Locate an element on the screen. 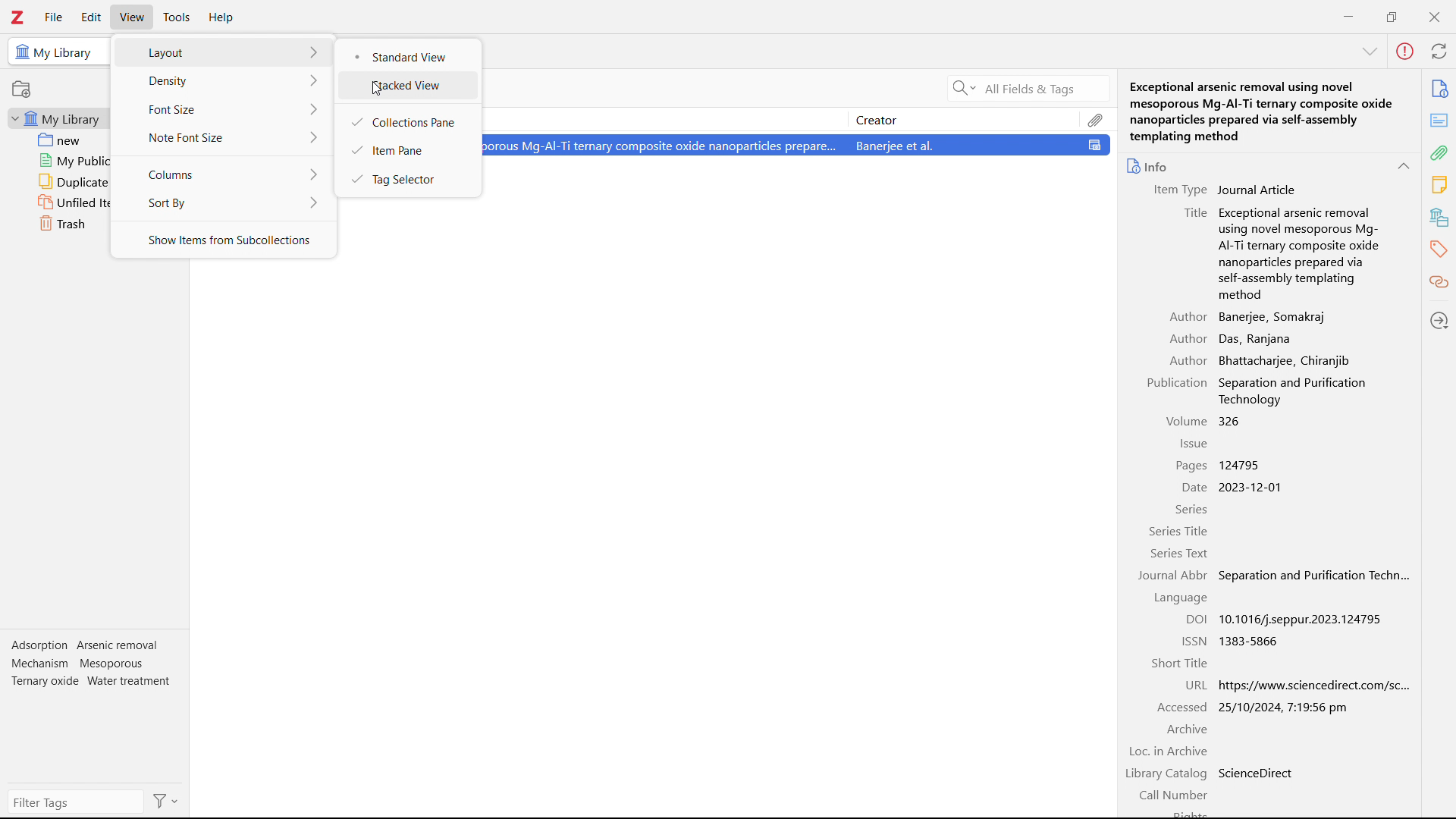 This screenshot has width=1456, height=819. Volume is located at coordinates (1187, 421).